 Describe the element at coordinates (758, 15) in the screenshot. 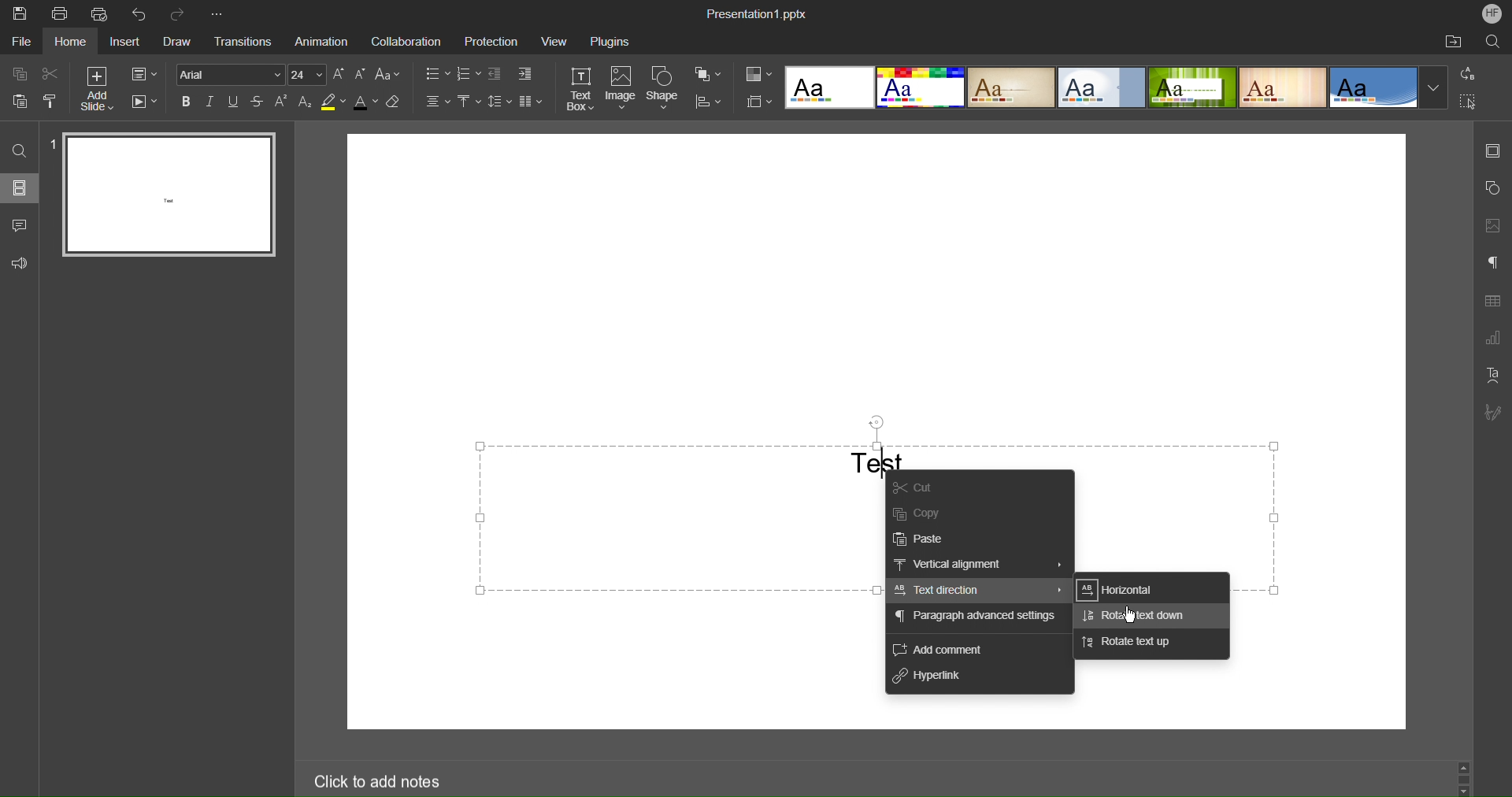

I see `Presentation1` at that location.